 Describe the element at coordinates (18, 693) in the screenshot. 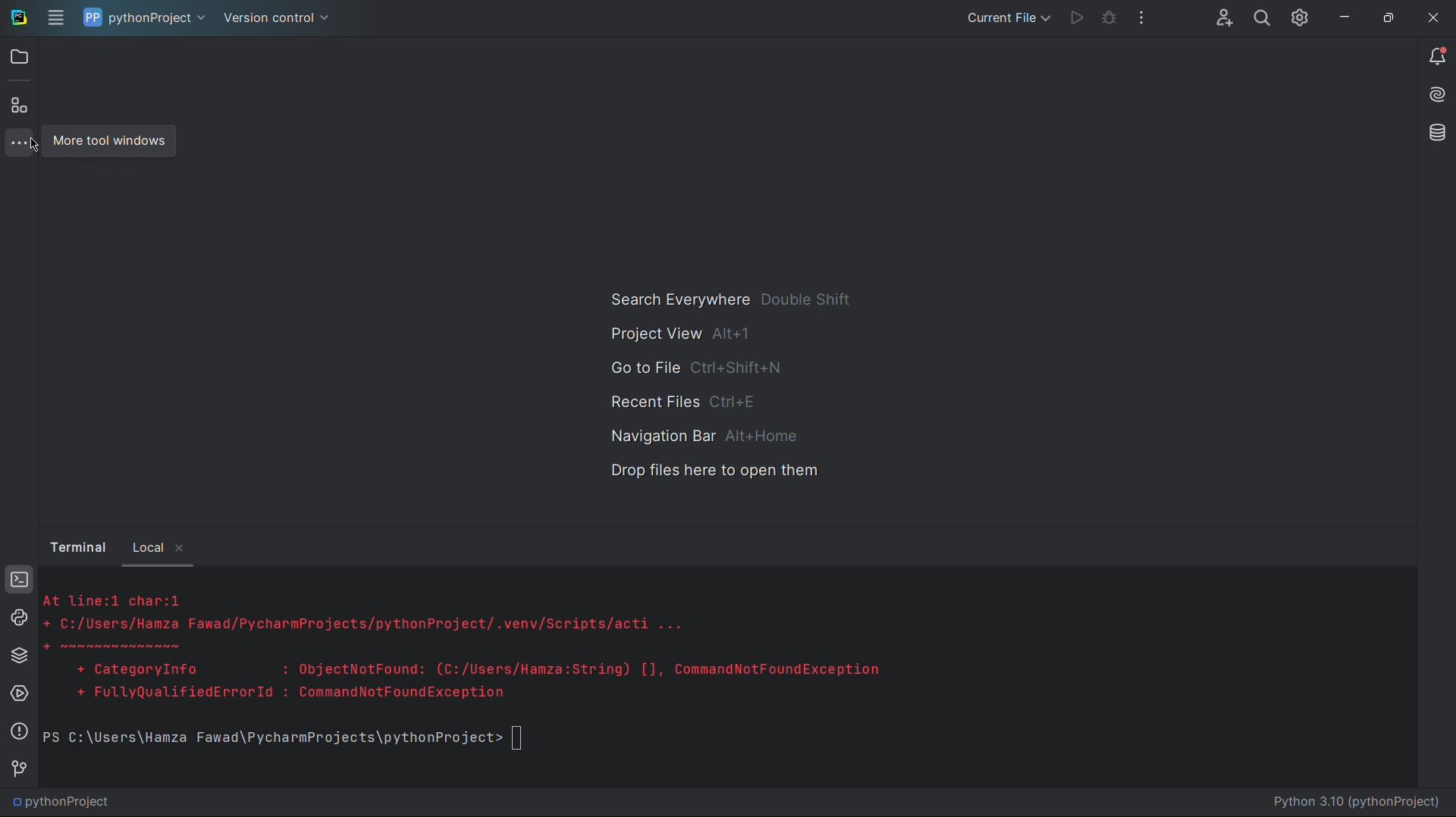

I see `Services` at that location.